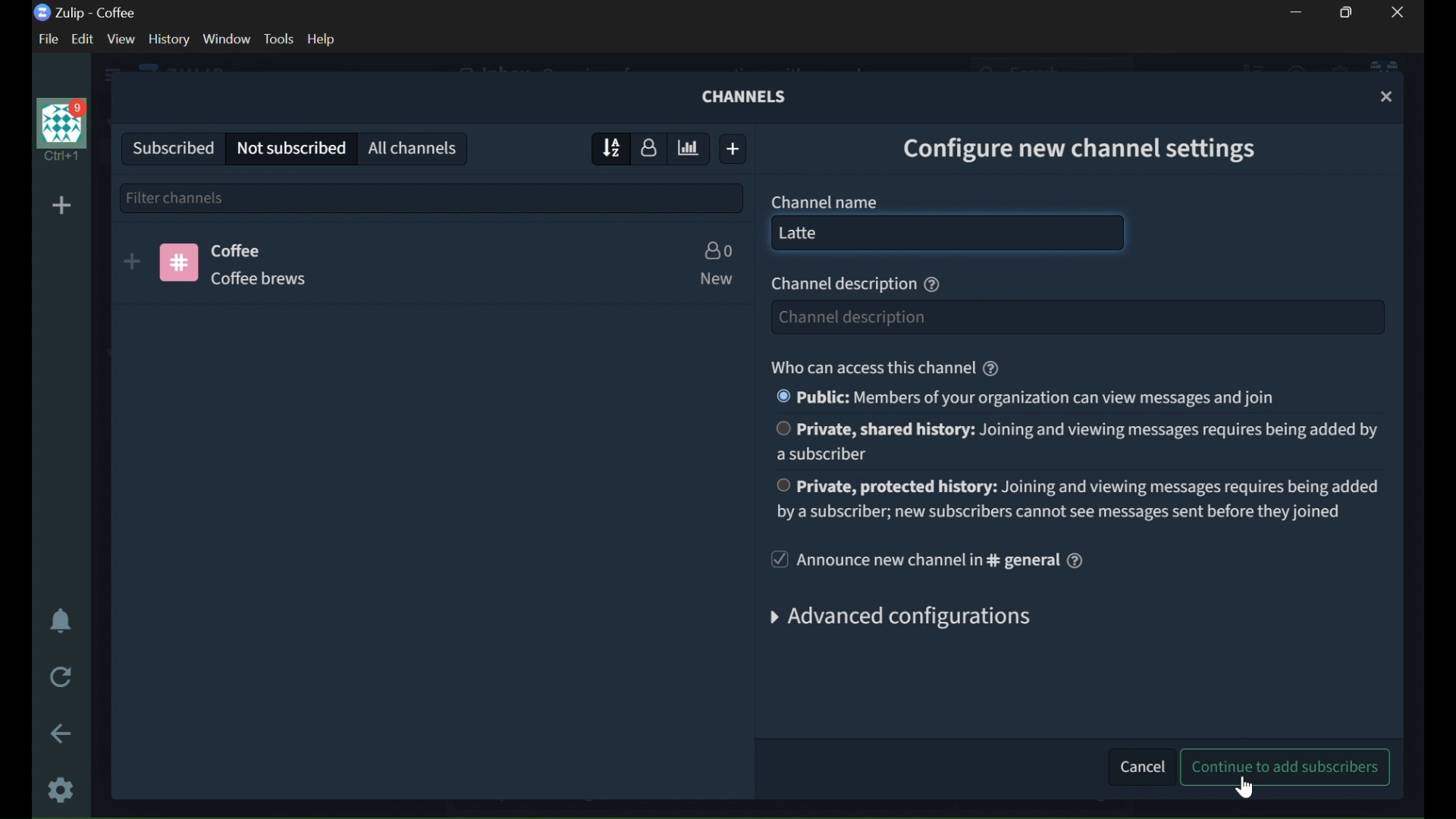 This screenshot has height=819, width=1456. Describe the element at coordinates (45, 39) in the screenshot. I see `file` at that location.